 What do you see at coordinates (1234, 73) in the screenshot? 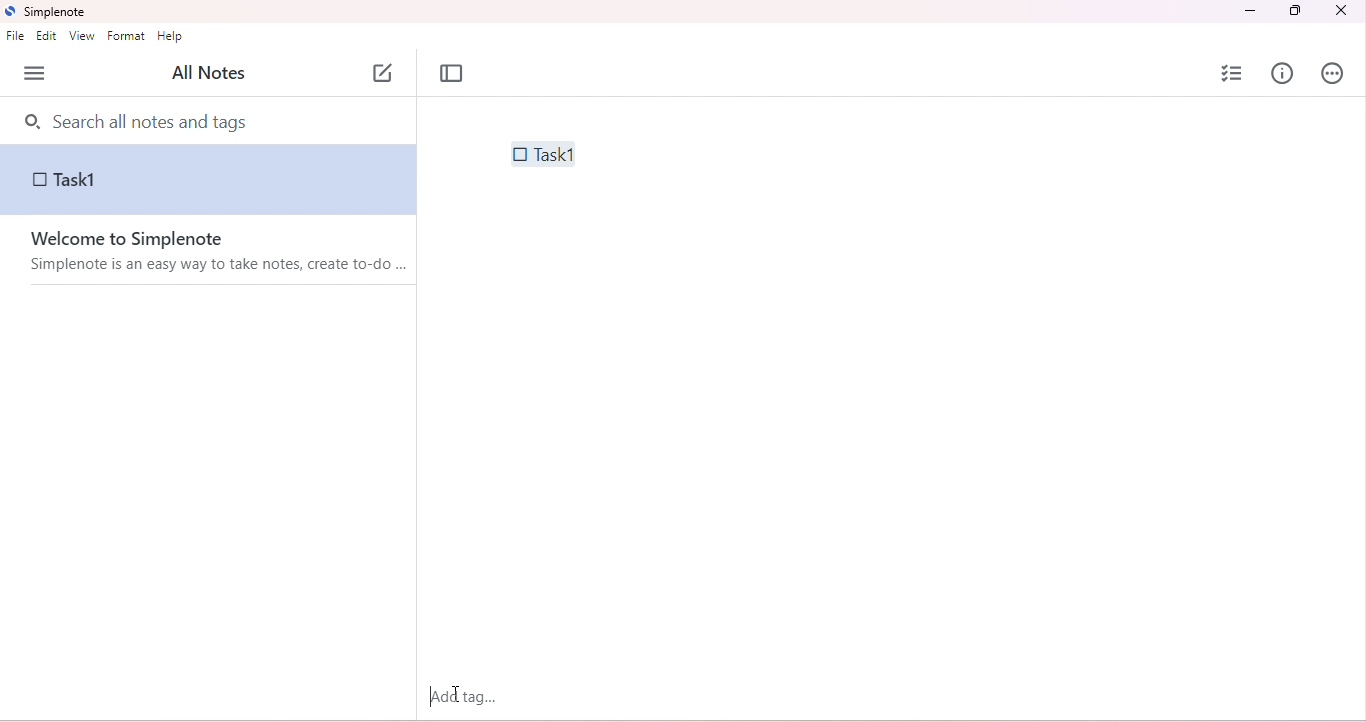
I see `insert checklist` at bounding box center [1234, 73].